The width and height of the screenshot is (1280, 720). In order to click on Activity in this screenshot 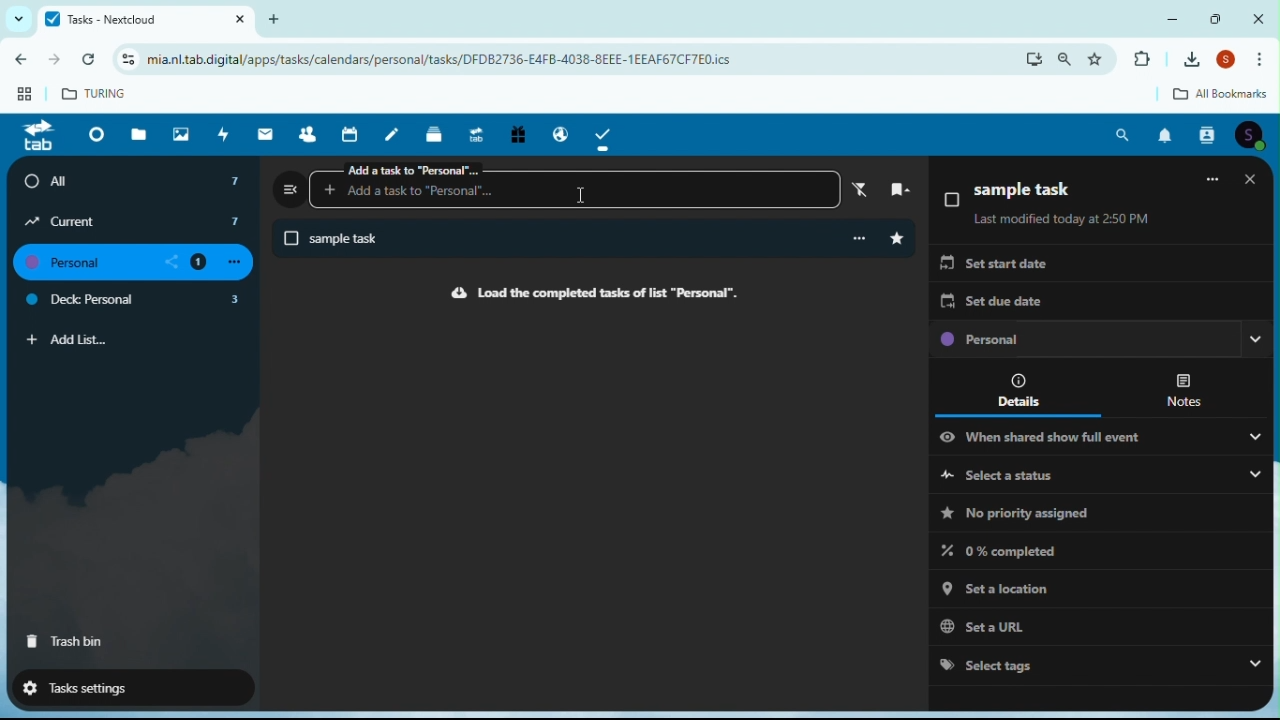, I will do `click(224, 134)`.